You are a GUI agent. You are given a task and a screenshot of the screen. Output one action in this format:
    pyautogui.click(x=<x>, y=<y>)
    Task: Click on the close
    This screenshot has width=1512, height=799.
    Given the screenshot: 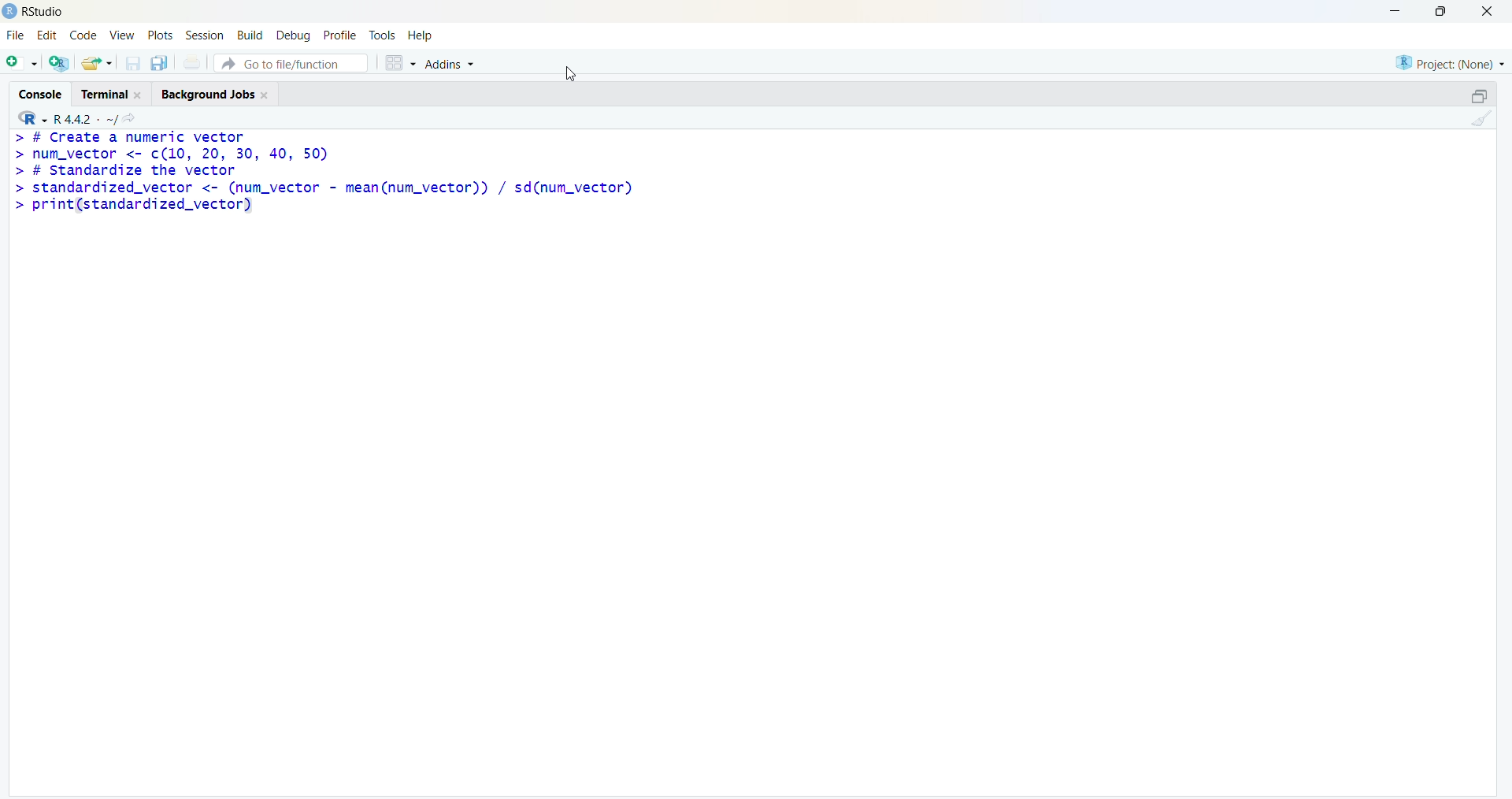 What is the action you would take?
    pyautogui.click(x=1488, y=11)
    